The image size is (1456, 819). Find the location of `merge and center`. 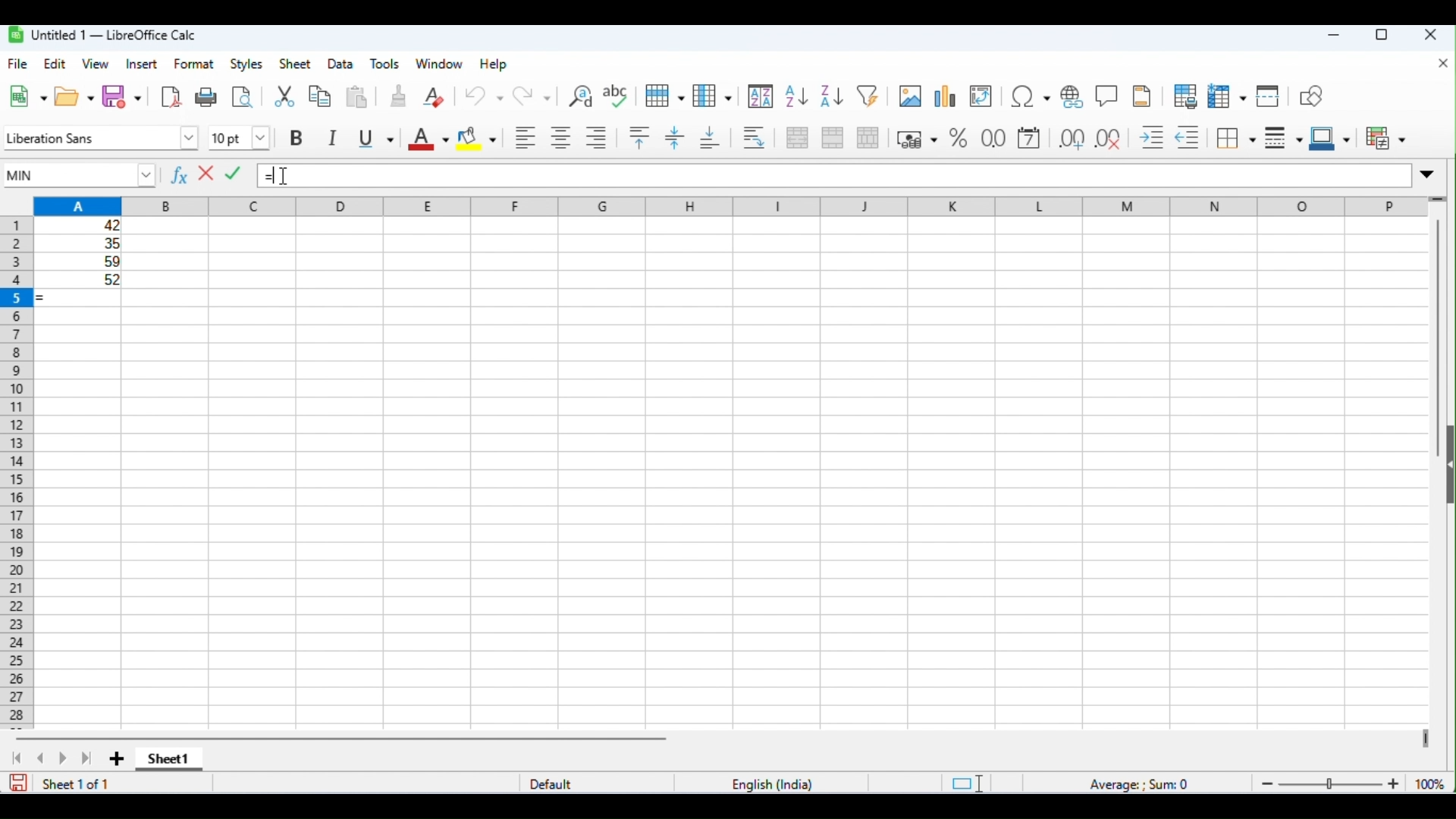

merge and center is located at coordinates (795, 137).